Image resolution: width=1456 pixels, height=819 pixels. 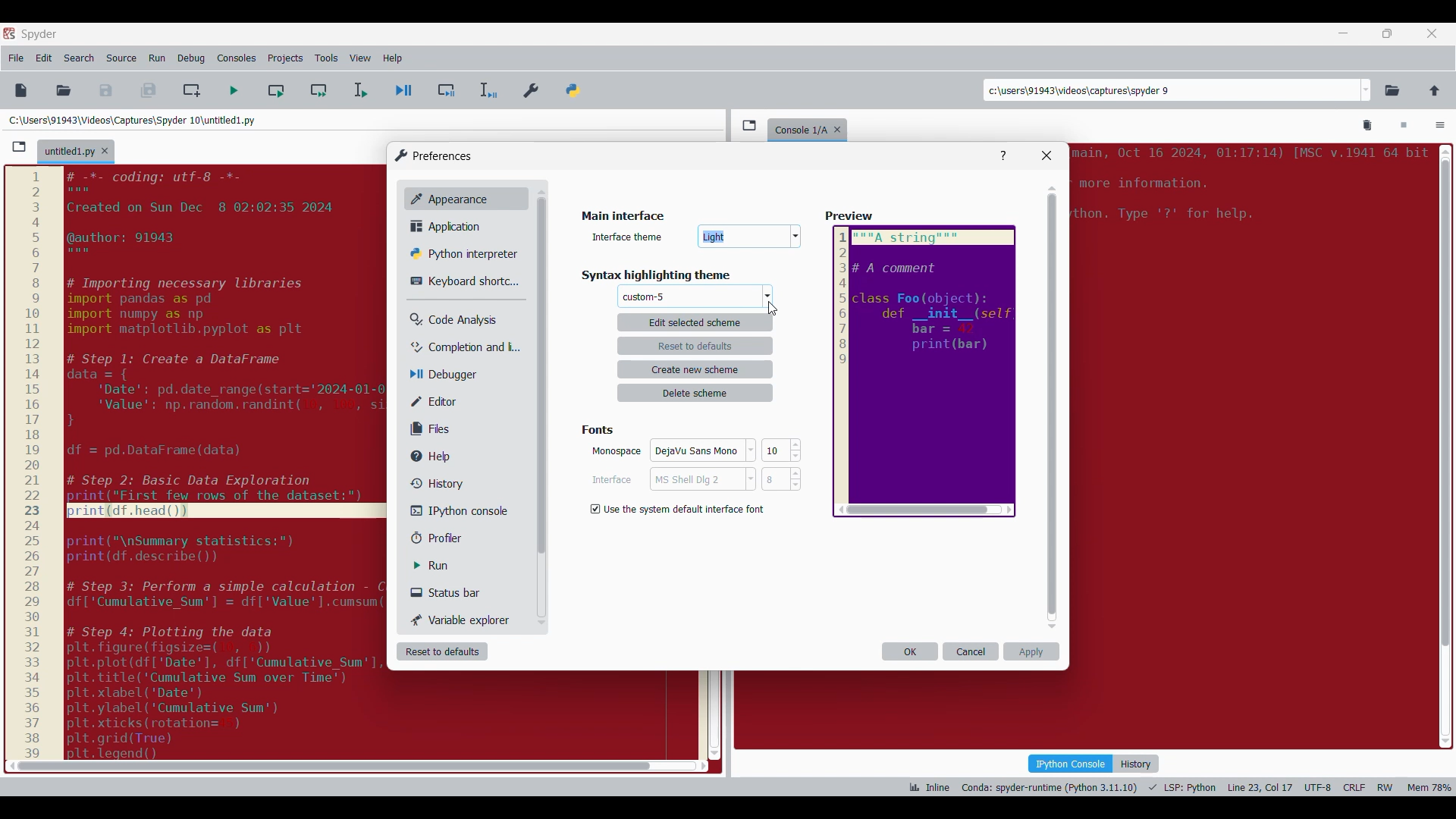 I want to click on Code analysis, so click(x=453, y=320).